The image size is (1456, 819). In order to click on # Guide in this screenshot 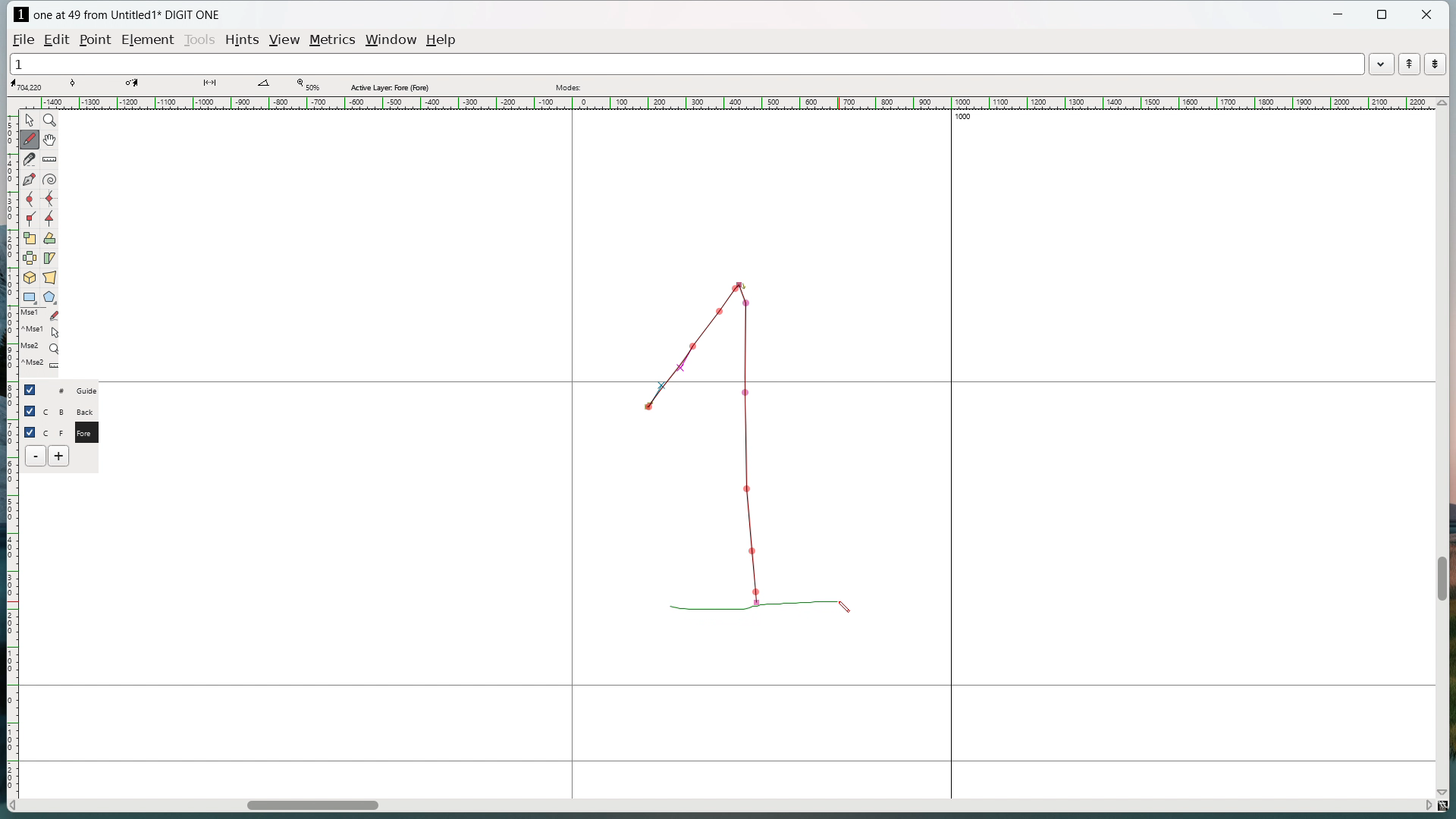, I will do `click(72, 390)`.